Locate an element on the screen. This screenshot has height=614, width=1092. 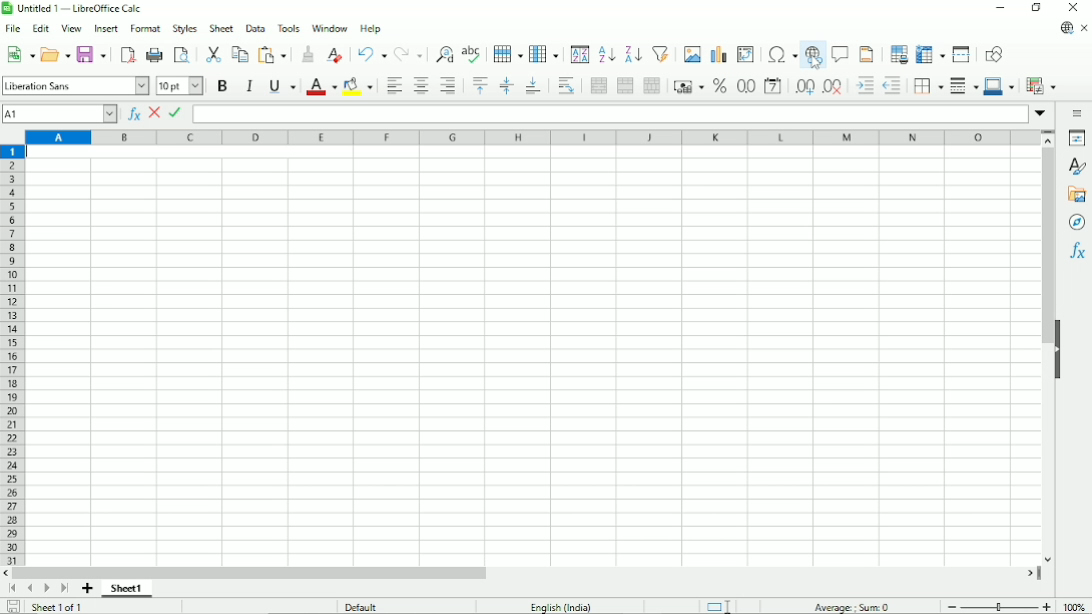
Help is located at coordinates (370, 28).